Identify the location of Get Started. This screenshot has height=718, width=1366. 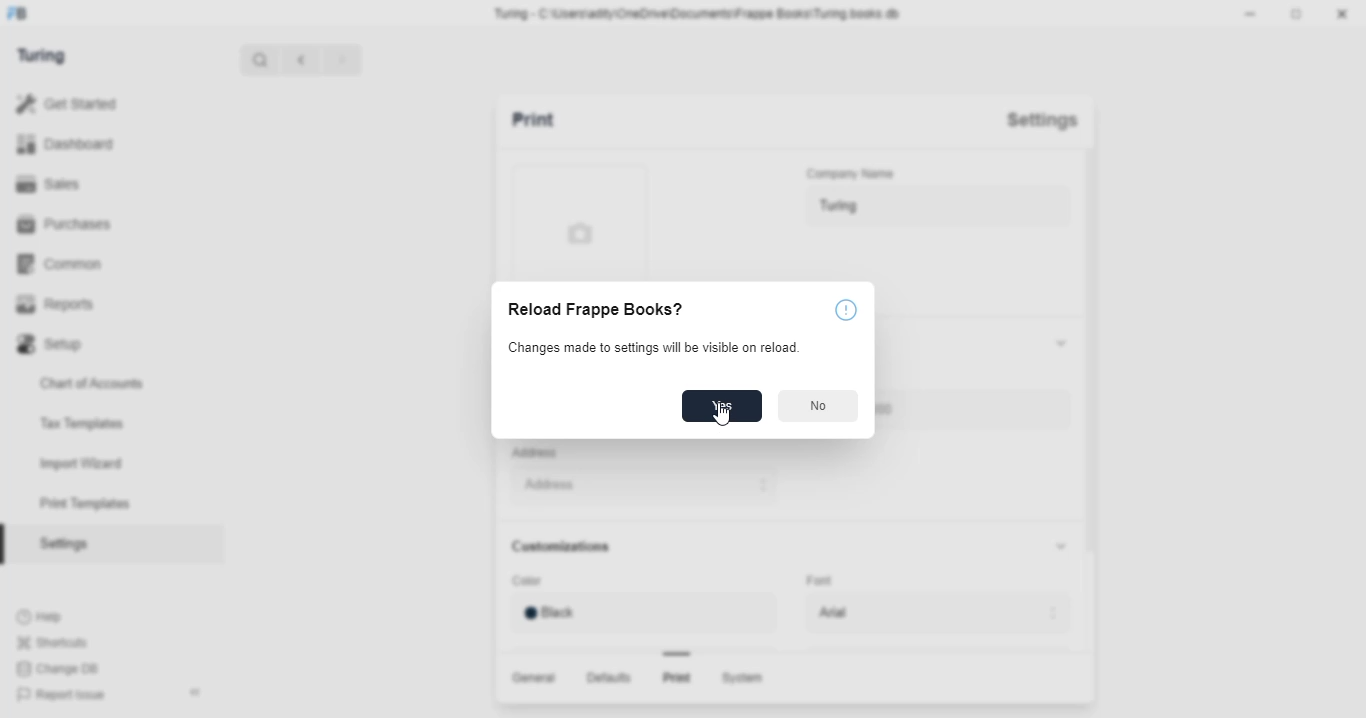
(67, 101).